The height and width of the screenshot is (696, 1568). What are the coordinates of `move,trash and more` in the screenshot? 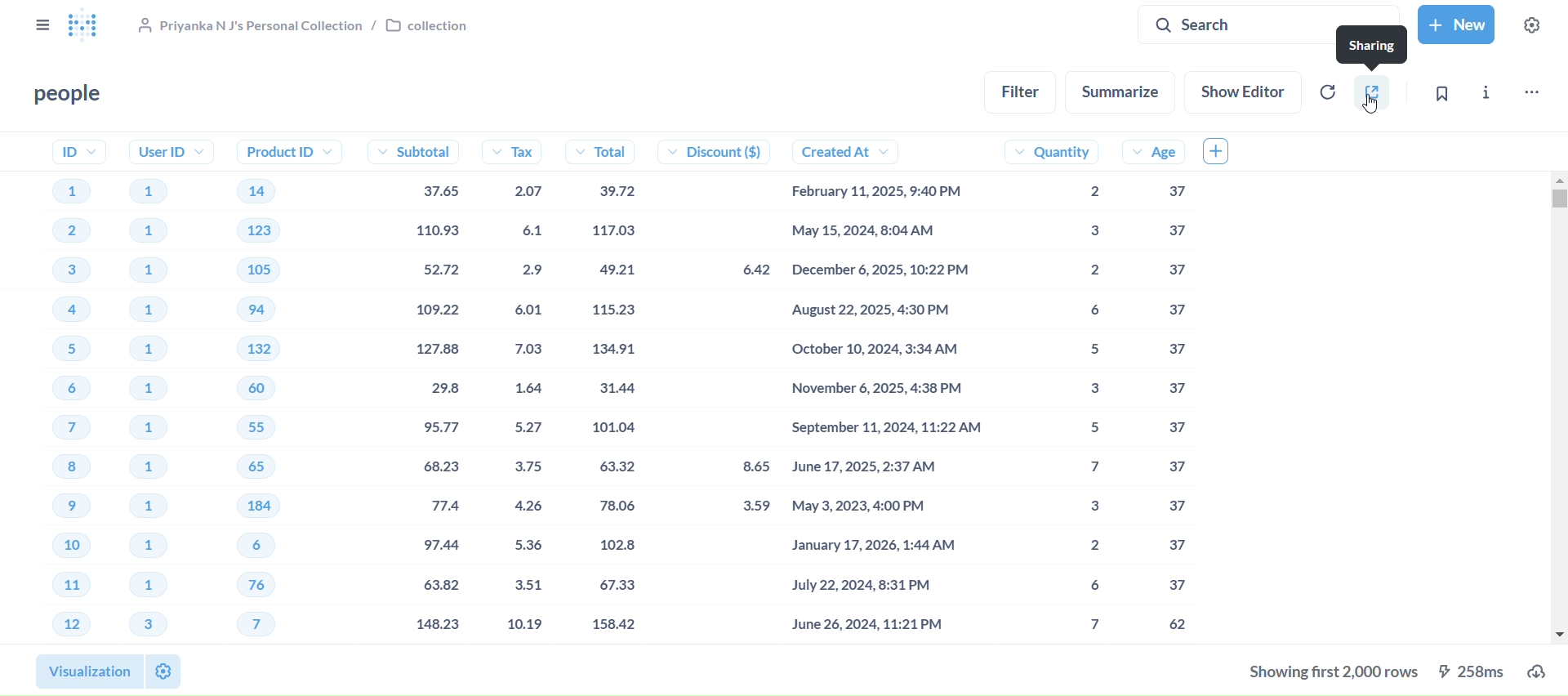 It's located at (1532, 95).